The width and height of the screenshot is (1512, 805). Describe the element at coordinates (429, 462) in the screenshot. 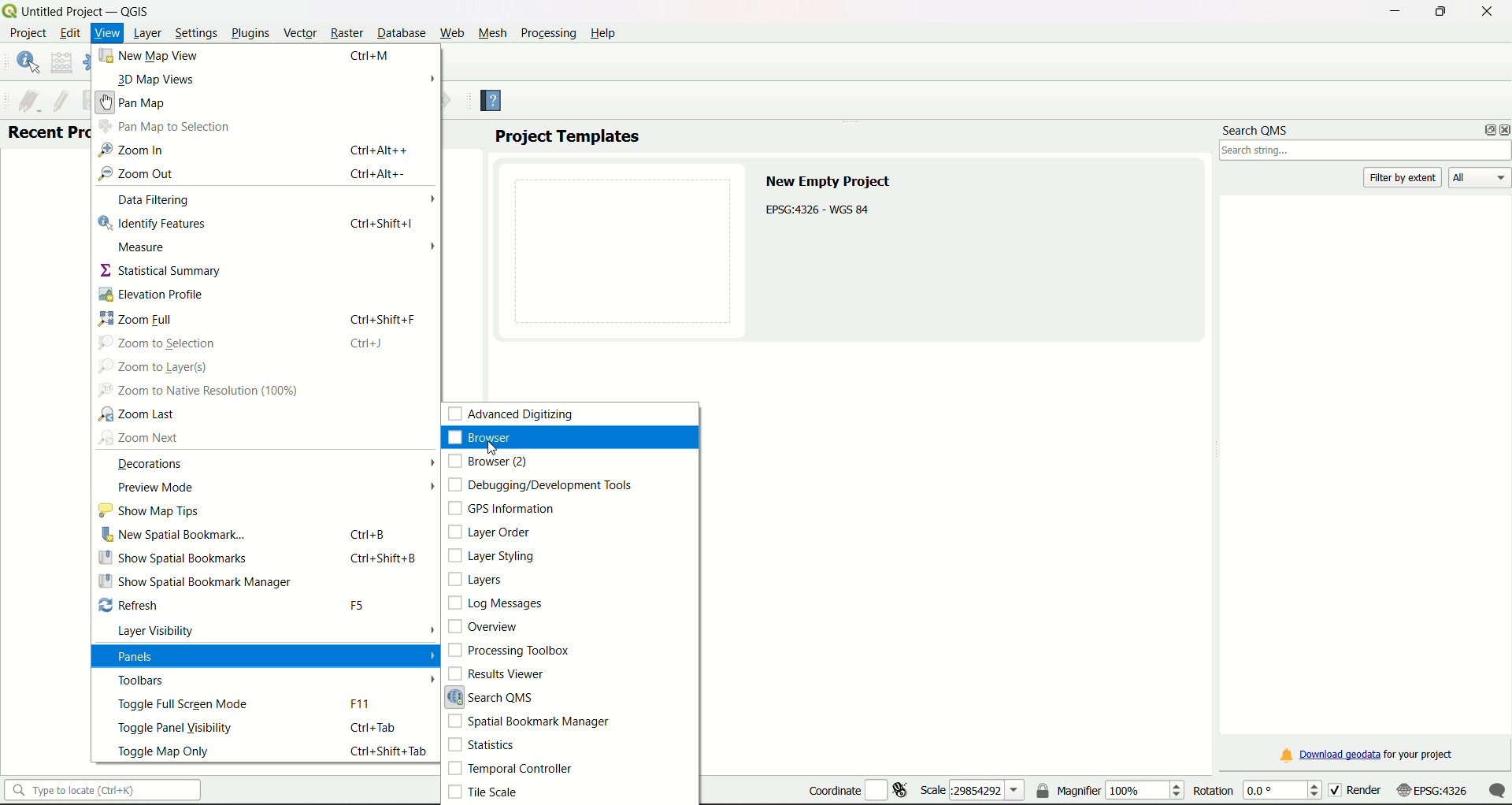

I see `arrow` at that location.